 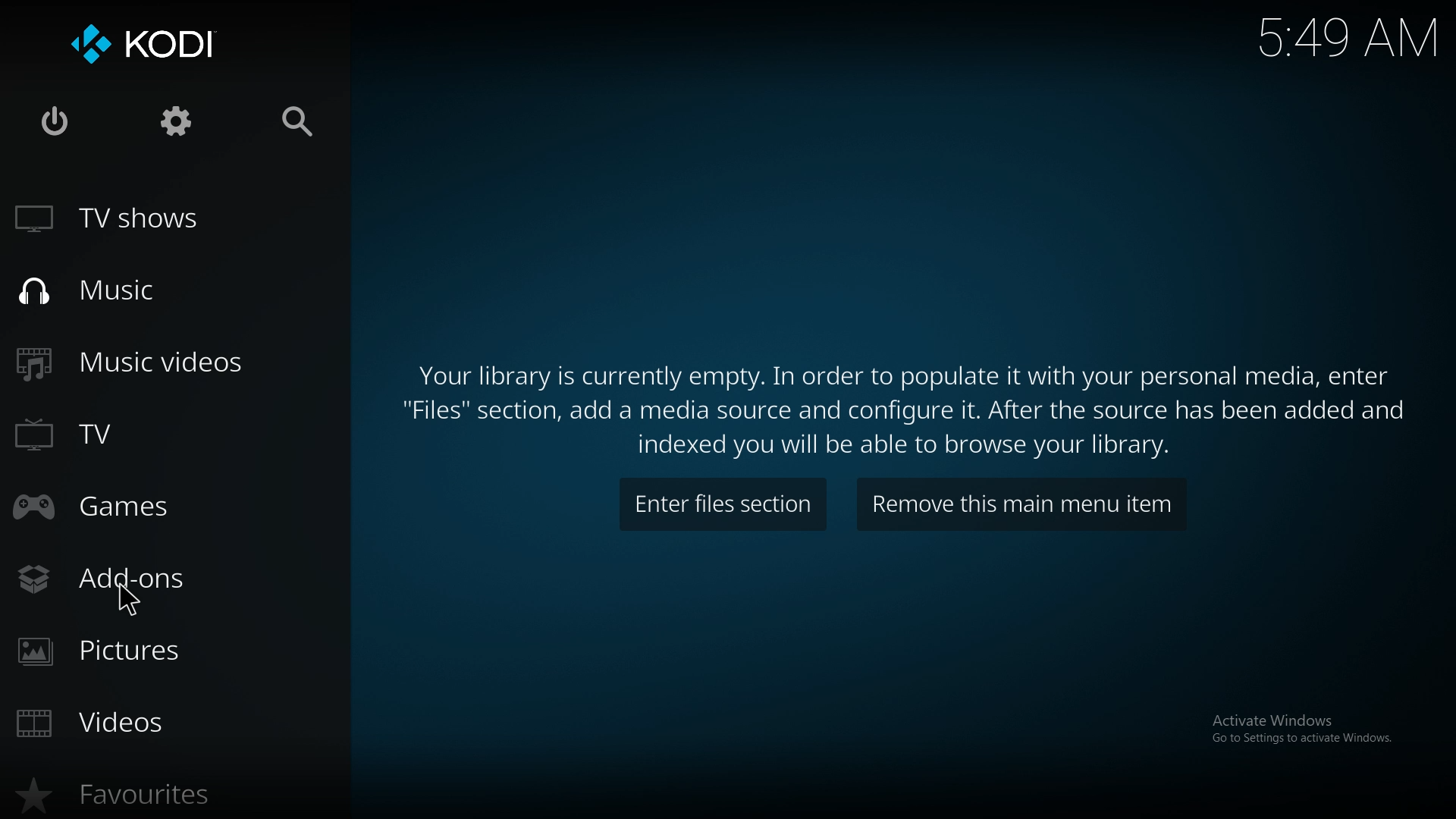 What do you see at coordinates (177, 120) in the screenshot?
I see `settings` at bounding box center [177, 120].